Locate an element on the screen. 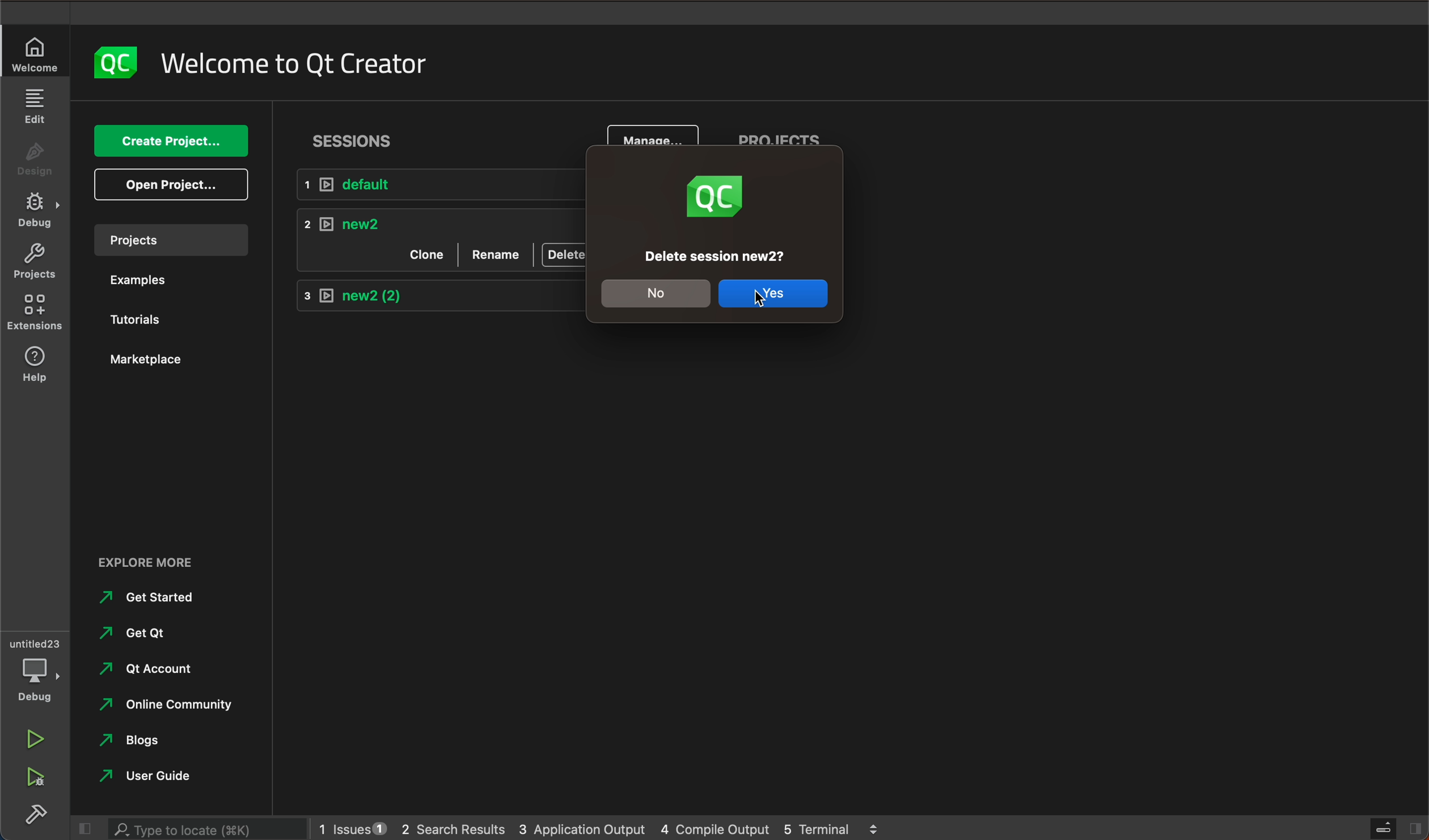  logo is located at coordinates (714, 199).